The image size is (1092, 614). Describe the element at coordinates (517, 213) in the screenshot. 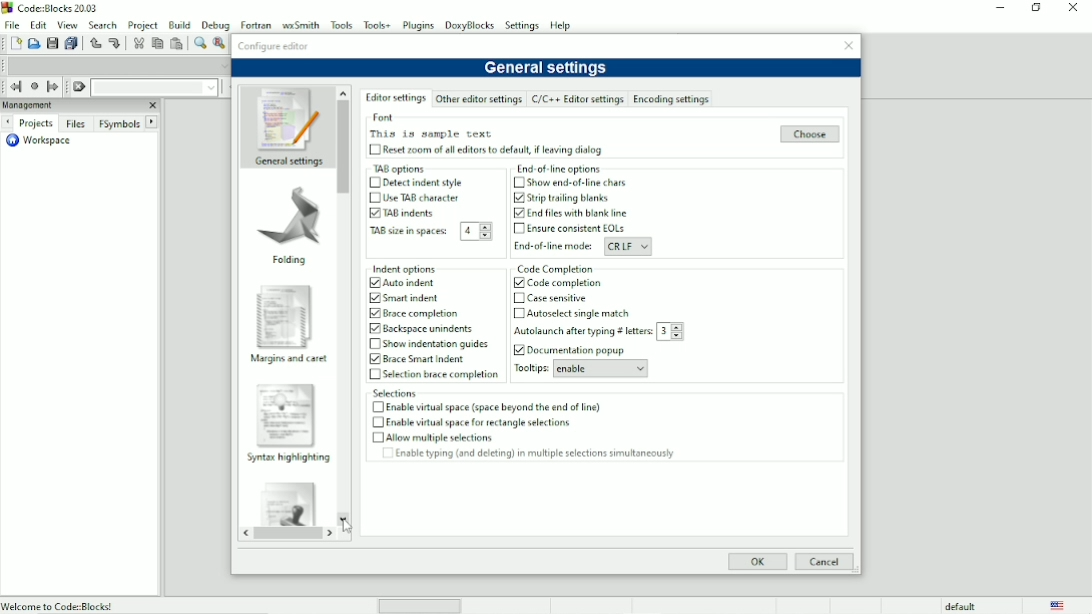

I see `` at that location.